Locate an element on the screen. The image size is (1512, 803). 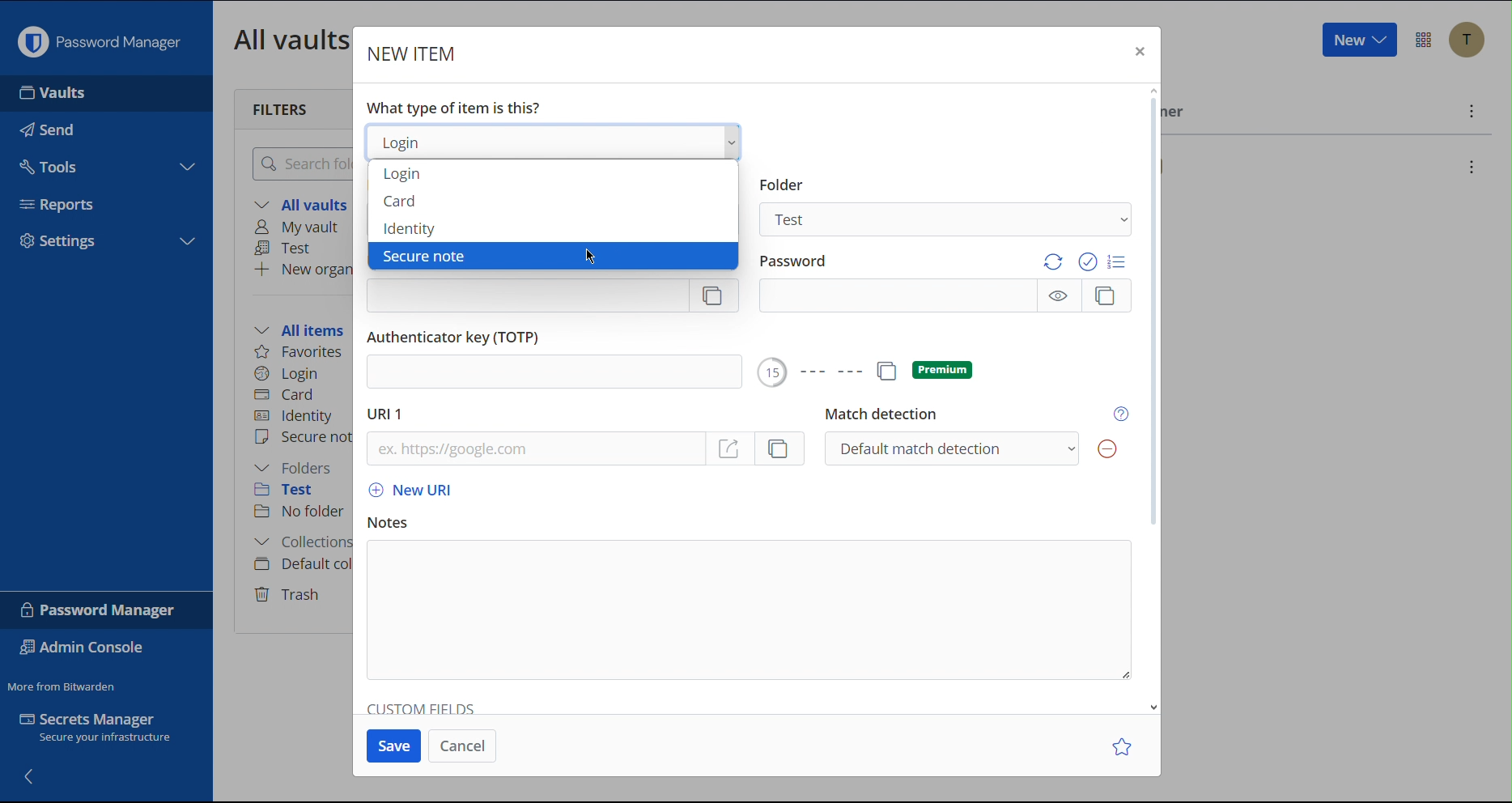
More is located at coordinates (1469, 111).